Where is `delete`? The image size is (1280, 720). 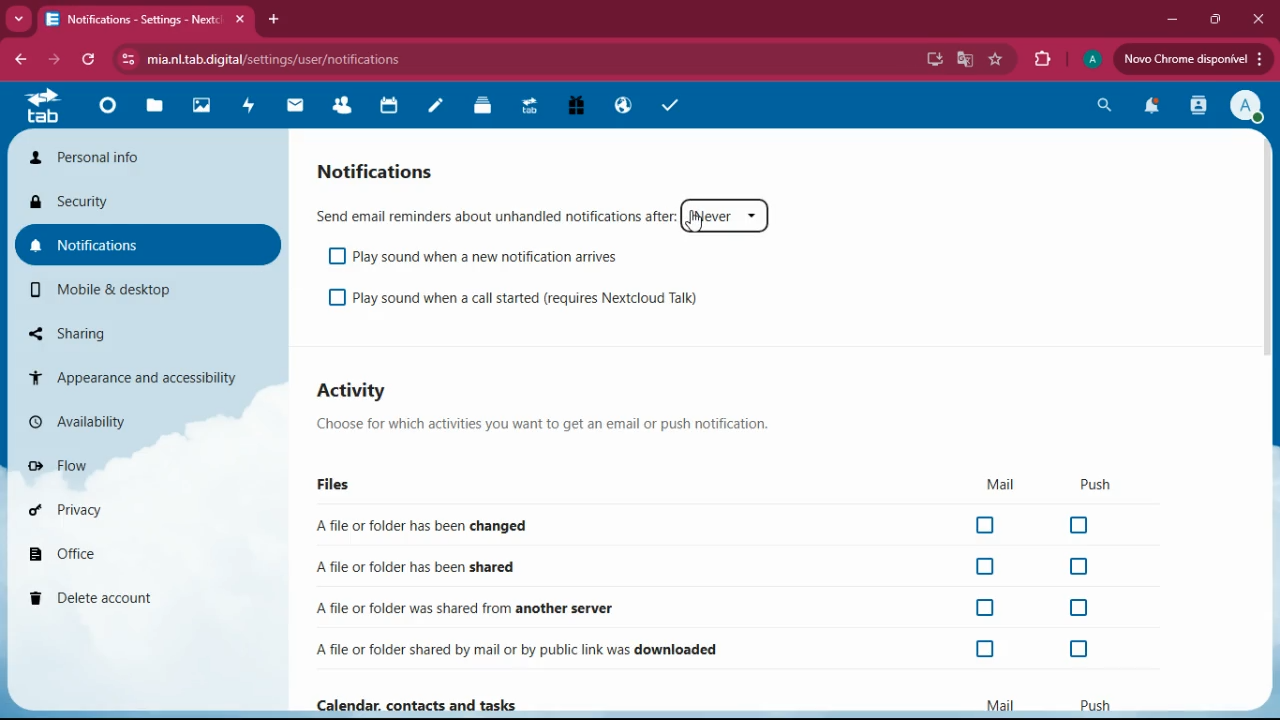 delete is located at coordinates (132, 599).